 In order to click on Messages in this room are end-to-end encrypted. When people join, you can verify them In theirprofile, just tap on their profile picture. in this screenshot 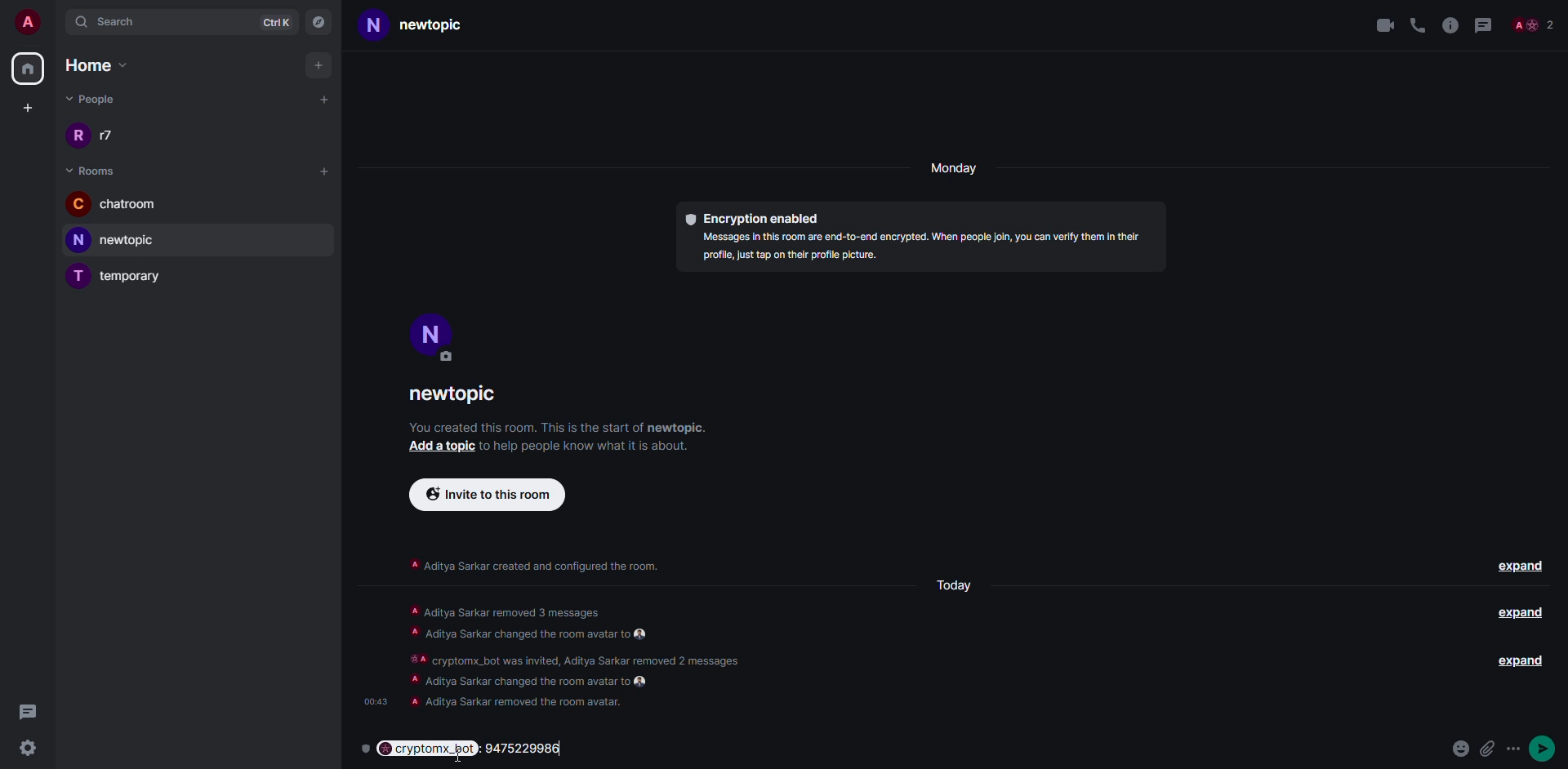, I will do `click(913, 250)`.